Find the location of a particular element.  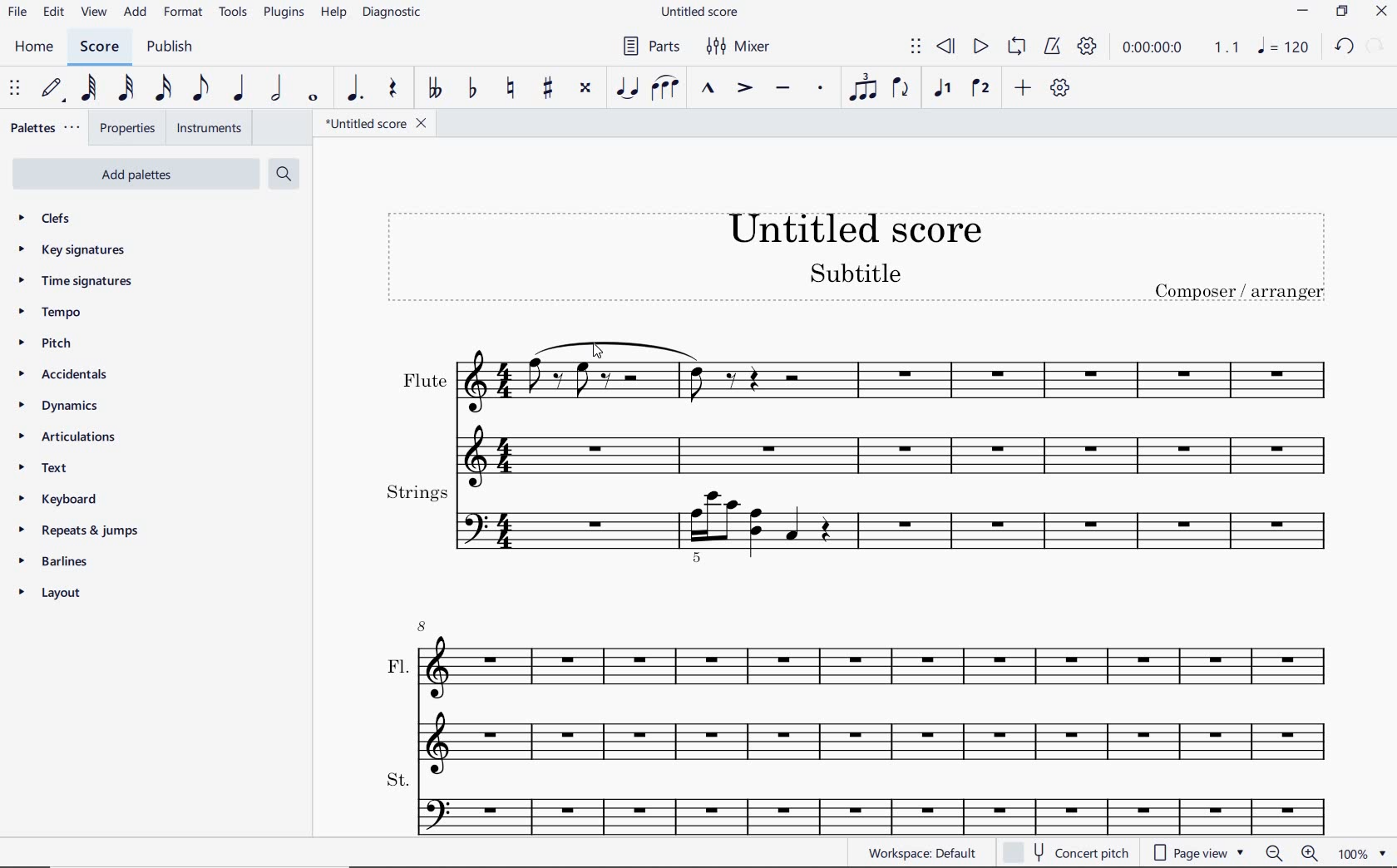

WHOLE NOTE is located at coordinates (314, 100).